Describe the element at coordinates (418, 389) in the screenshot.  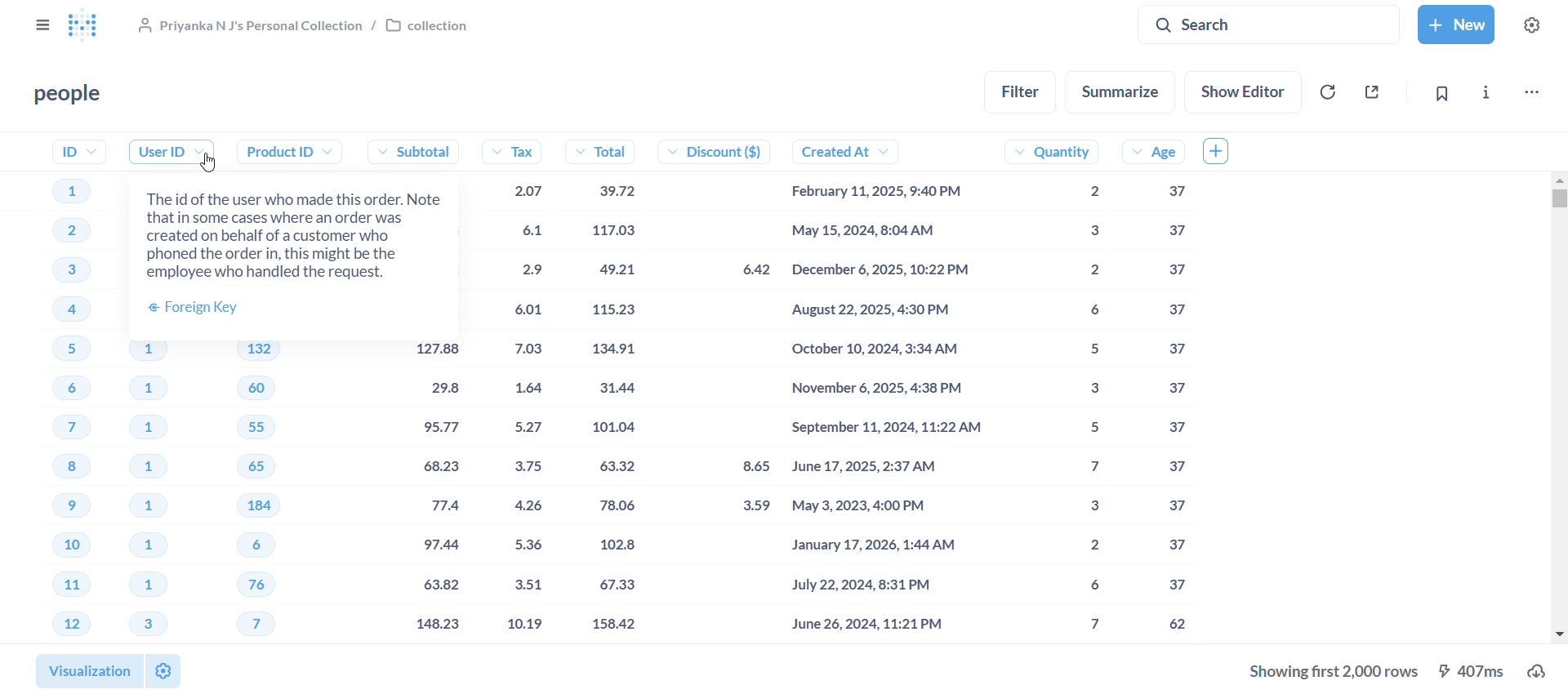
I see `subtotal` at that location.